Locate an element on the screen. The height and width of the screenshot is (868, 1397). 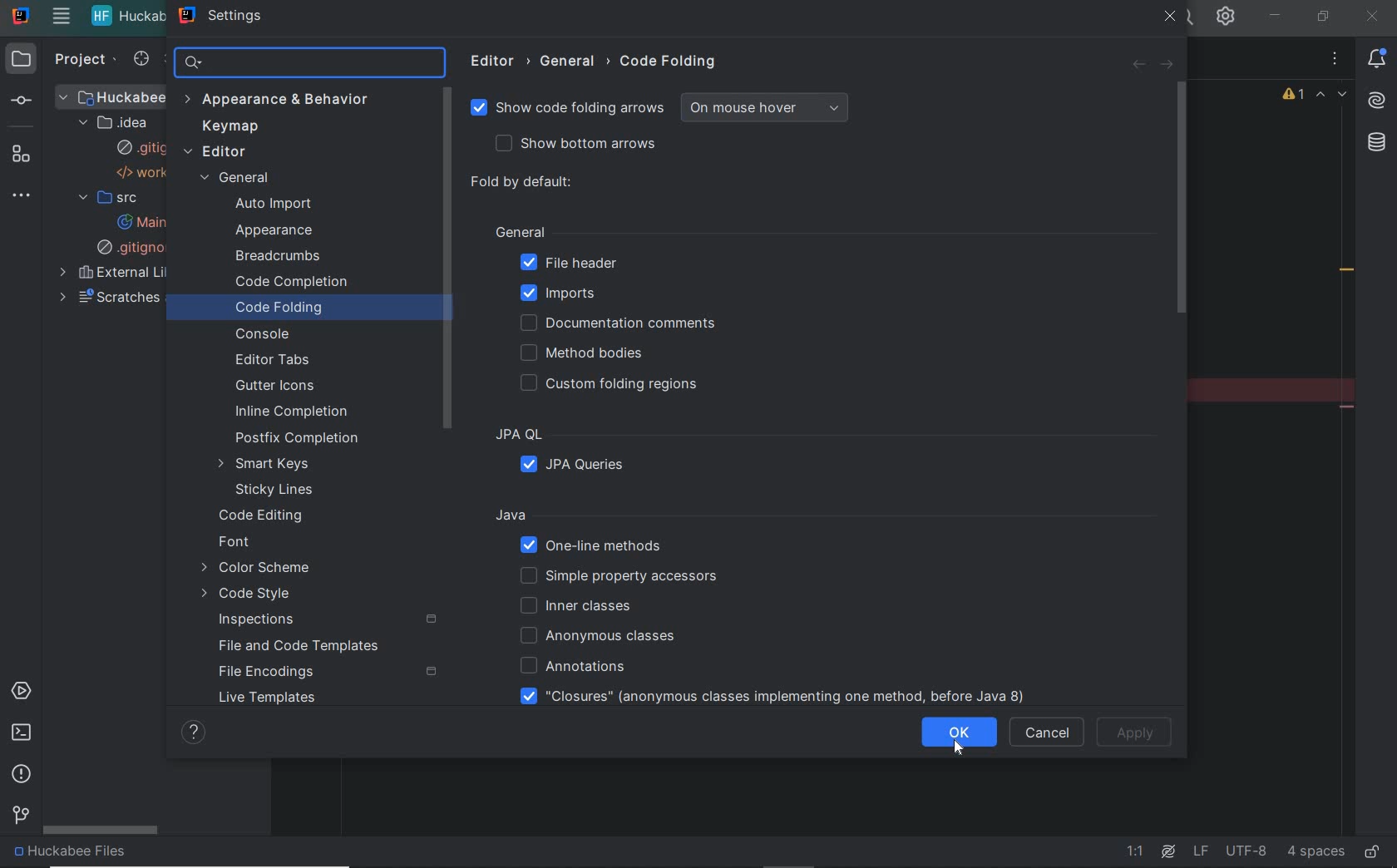
"closures" is located at coordinates (773, 696).